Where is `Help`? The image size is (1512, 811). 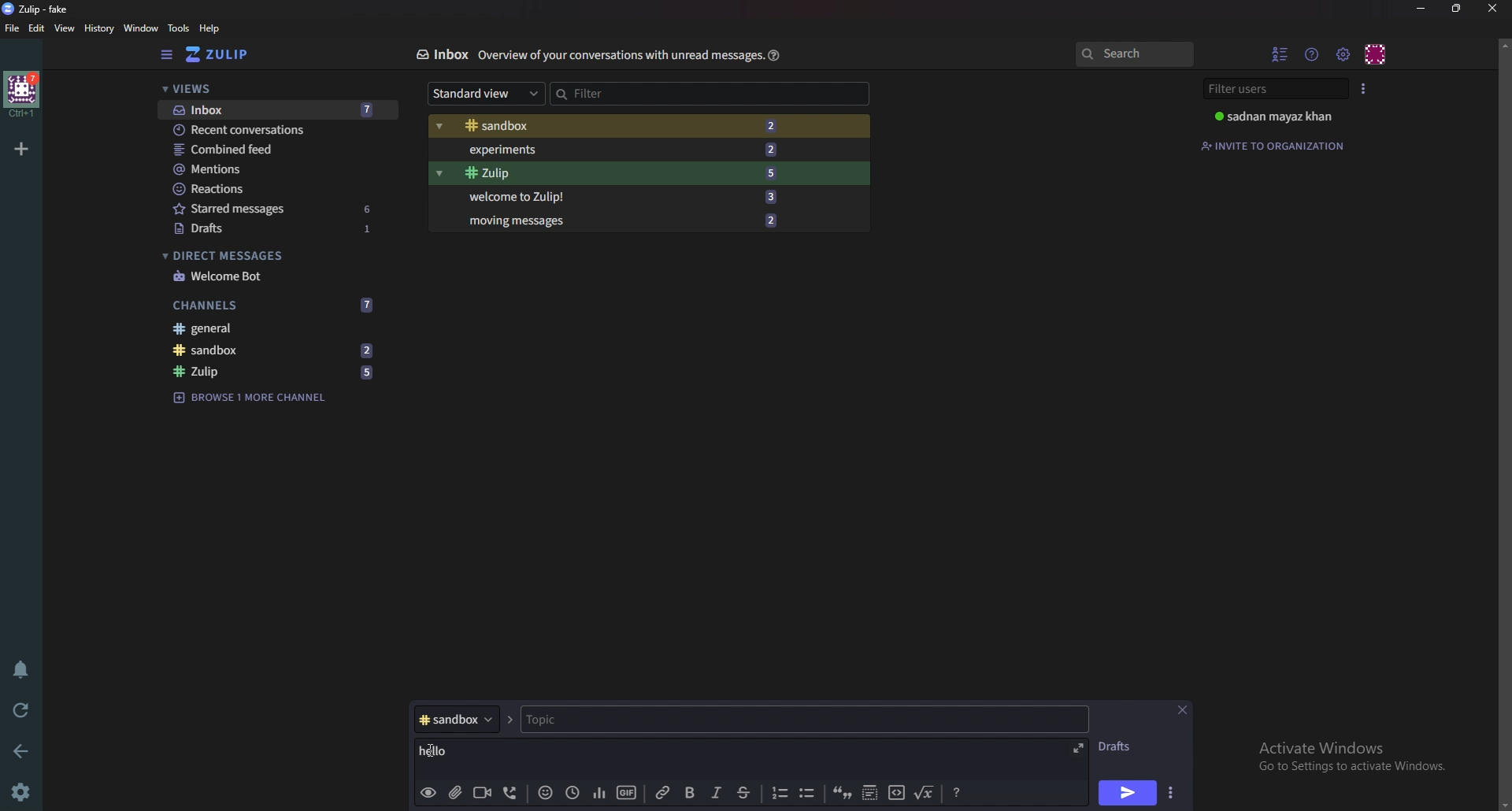 Help is located at coordinates (773, 55).